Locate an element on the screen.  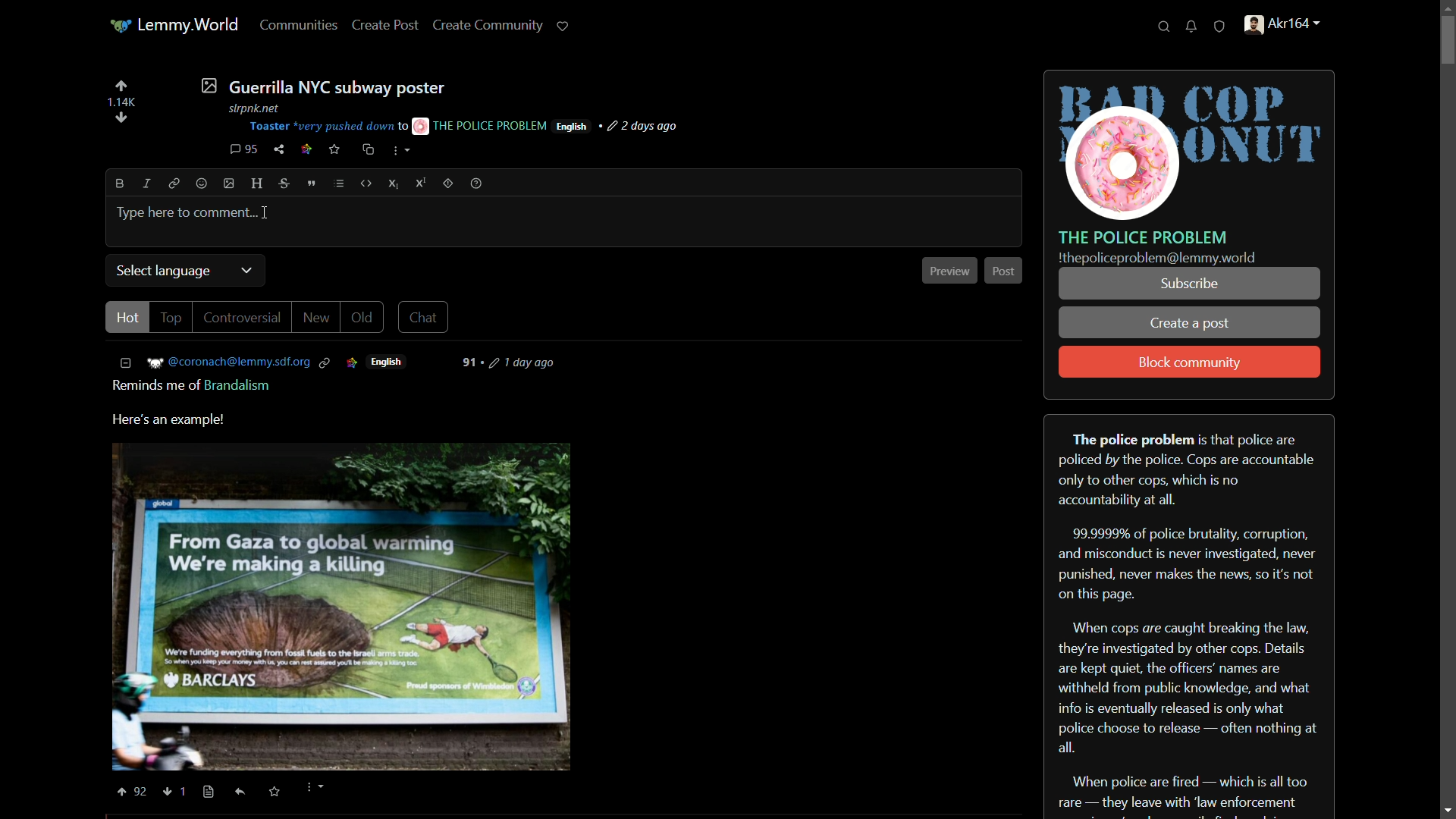
upvote is located at coordinates (121, 86).